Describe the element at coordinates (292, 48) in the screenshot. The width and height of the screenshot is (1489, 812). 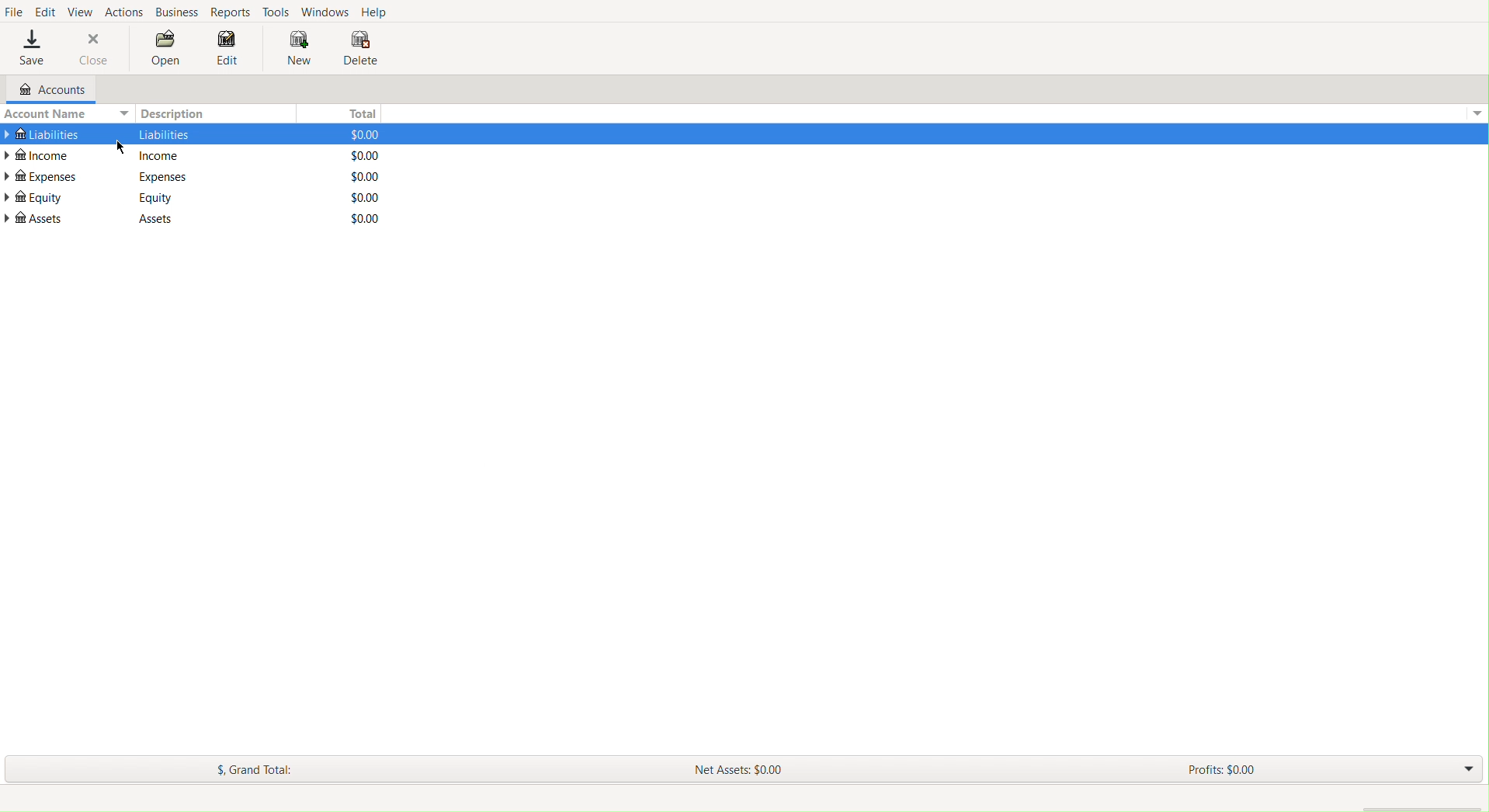
I see `New` at that location.